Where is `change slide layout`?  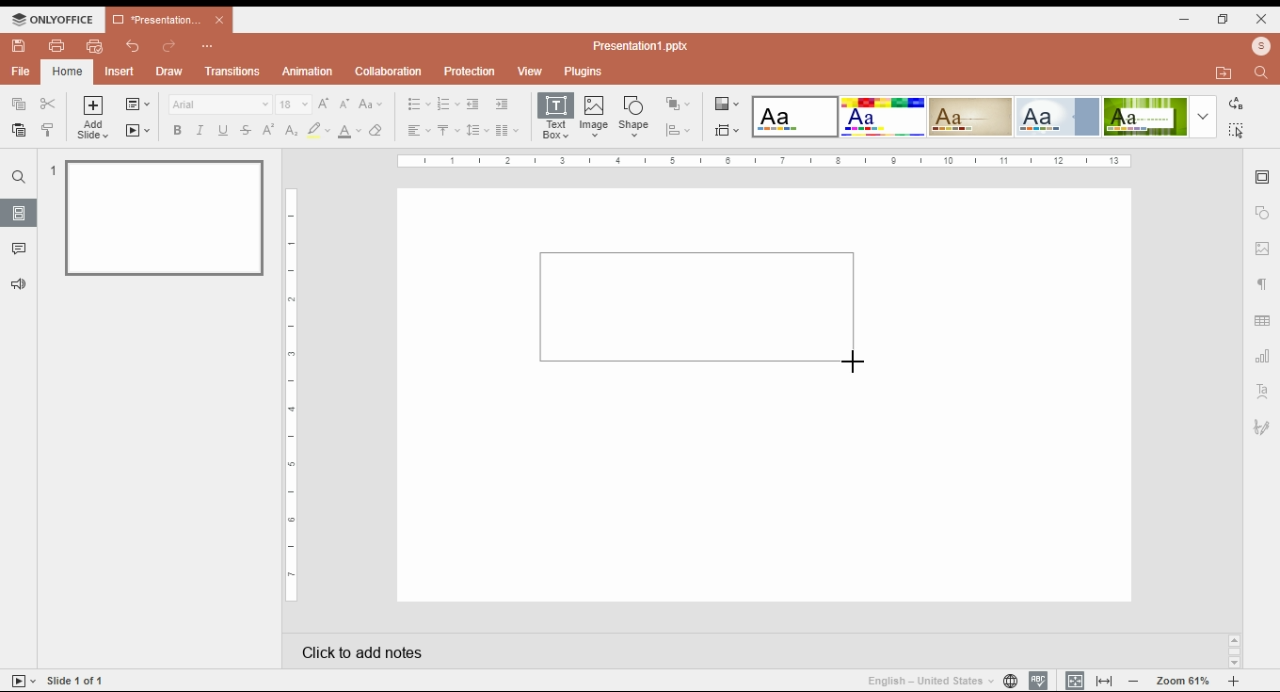 change slide layout is located at coordinates (138, 104).